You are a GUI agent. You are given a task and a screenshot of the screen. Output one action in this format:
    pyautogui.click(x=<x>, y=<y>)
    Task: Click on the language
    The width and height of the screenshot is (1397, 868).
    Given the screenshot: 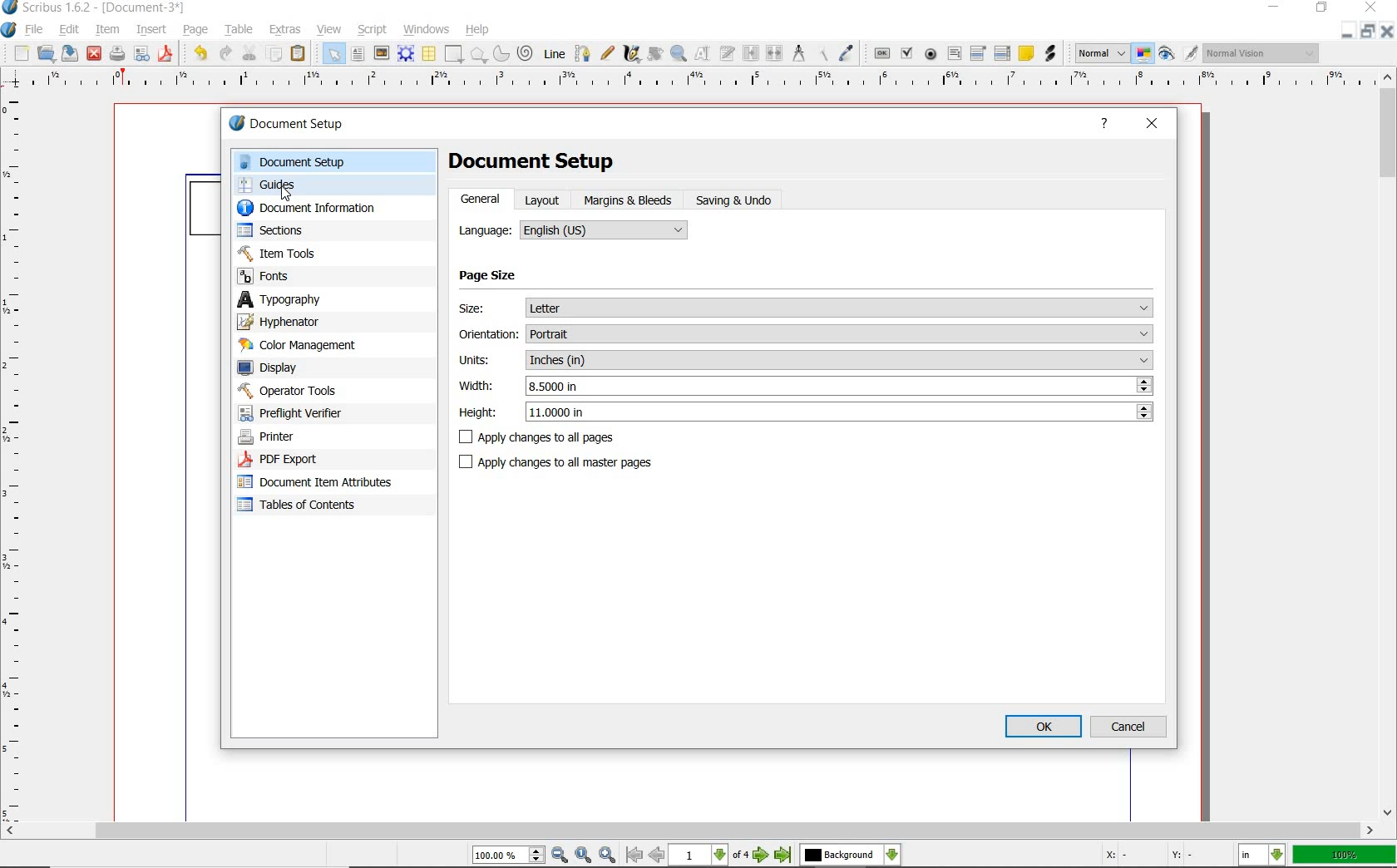 What is the action you would take?
    pyautogui.click(x=606, y=228)
    